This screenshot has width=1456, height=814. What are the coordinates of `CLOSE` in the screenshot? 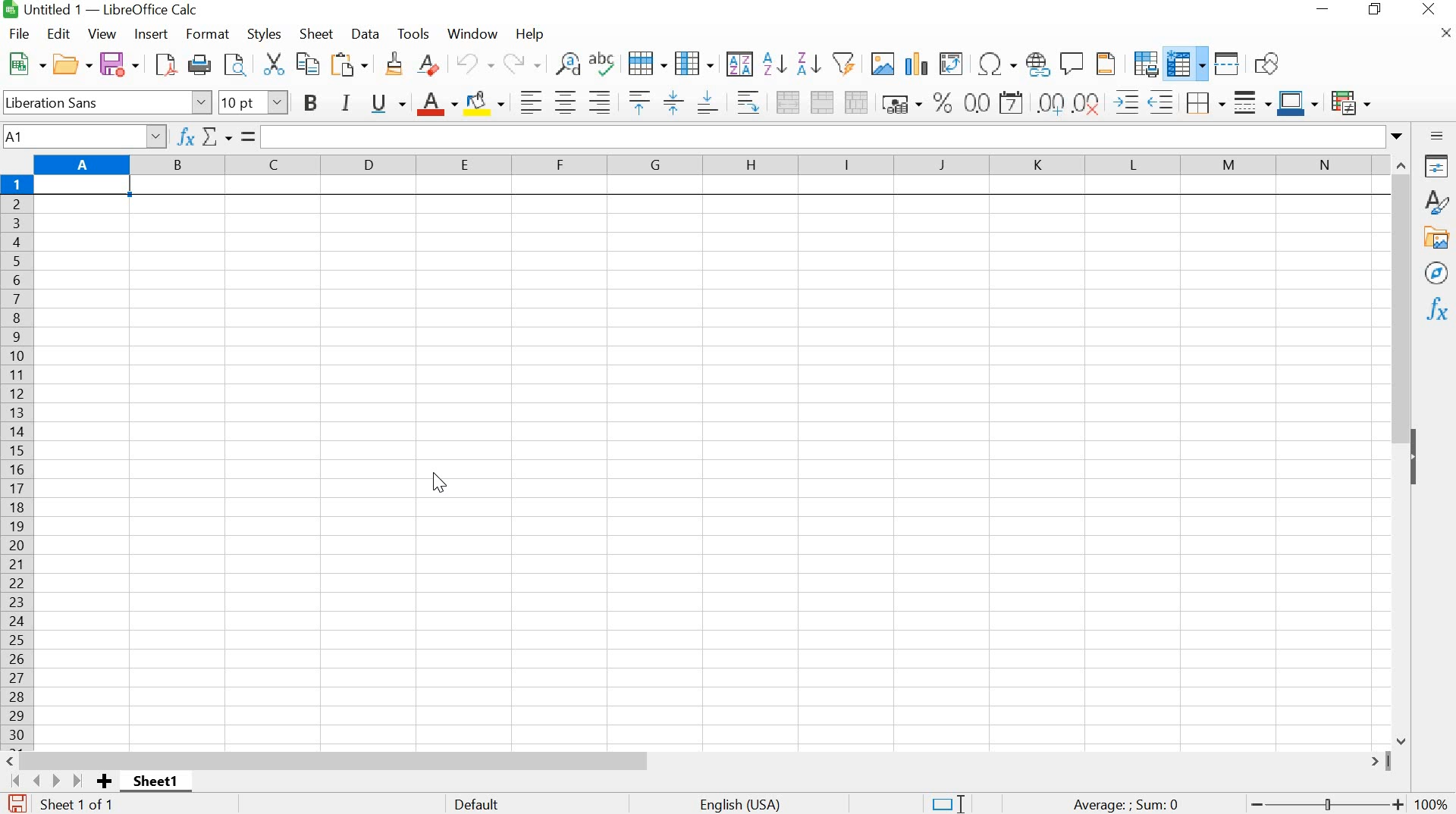 It's located at (1443, 37).